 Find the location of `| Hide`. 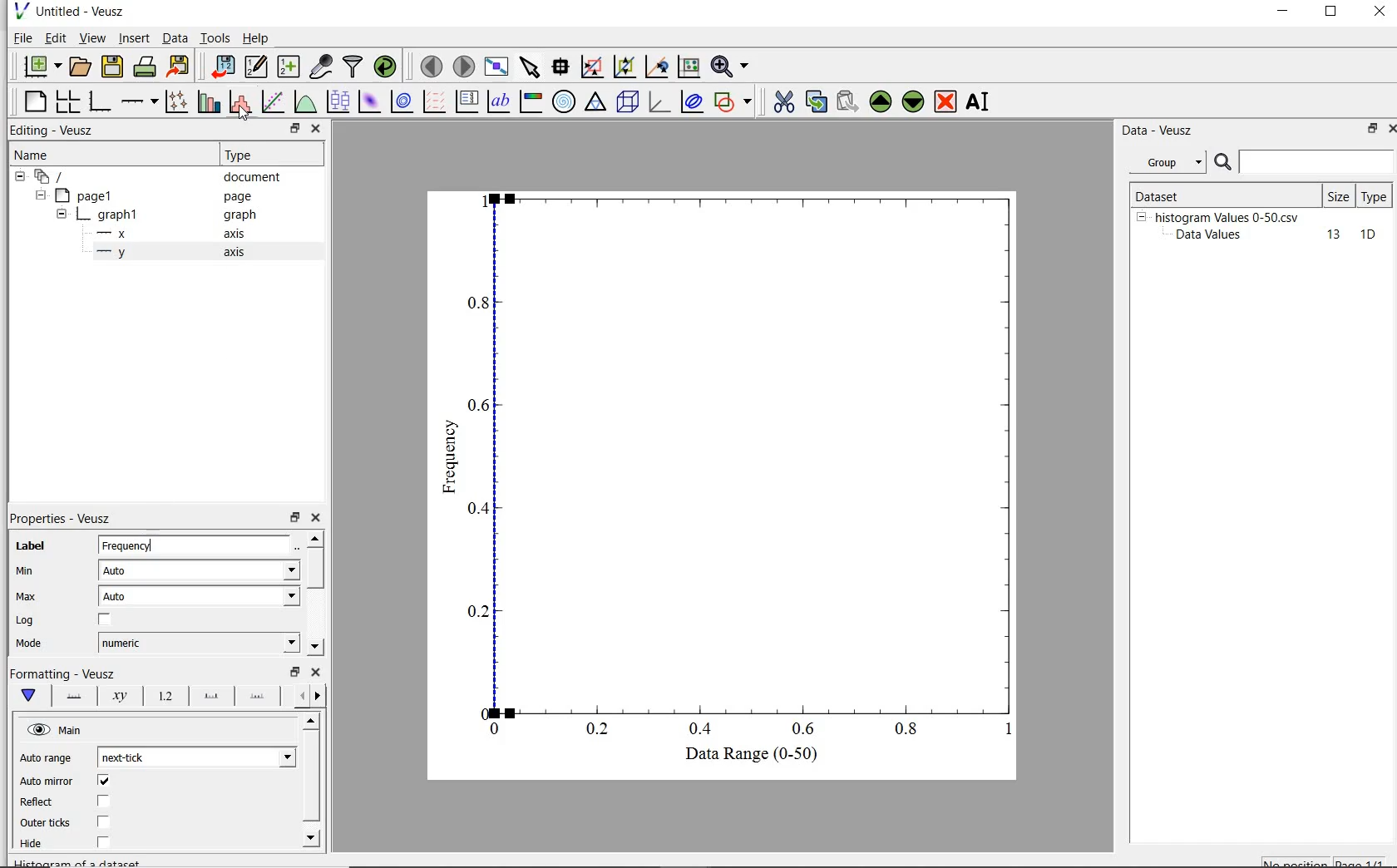

| Hide is located at coordinates (30, 844).